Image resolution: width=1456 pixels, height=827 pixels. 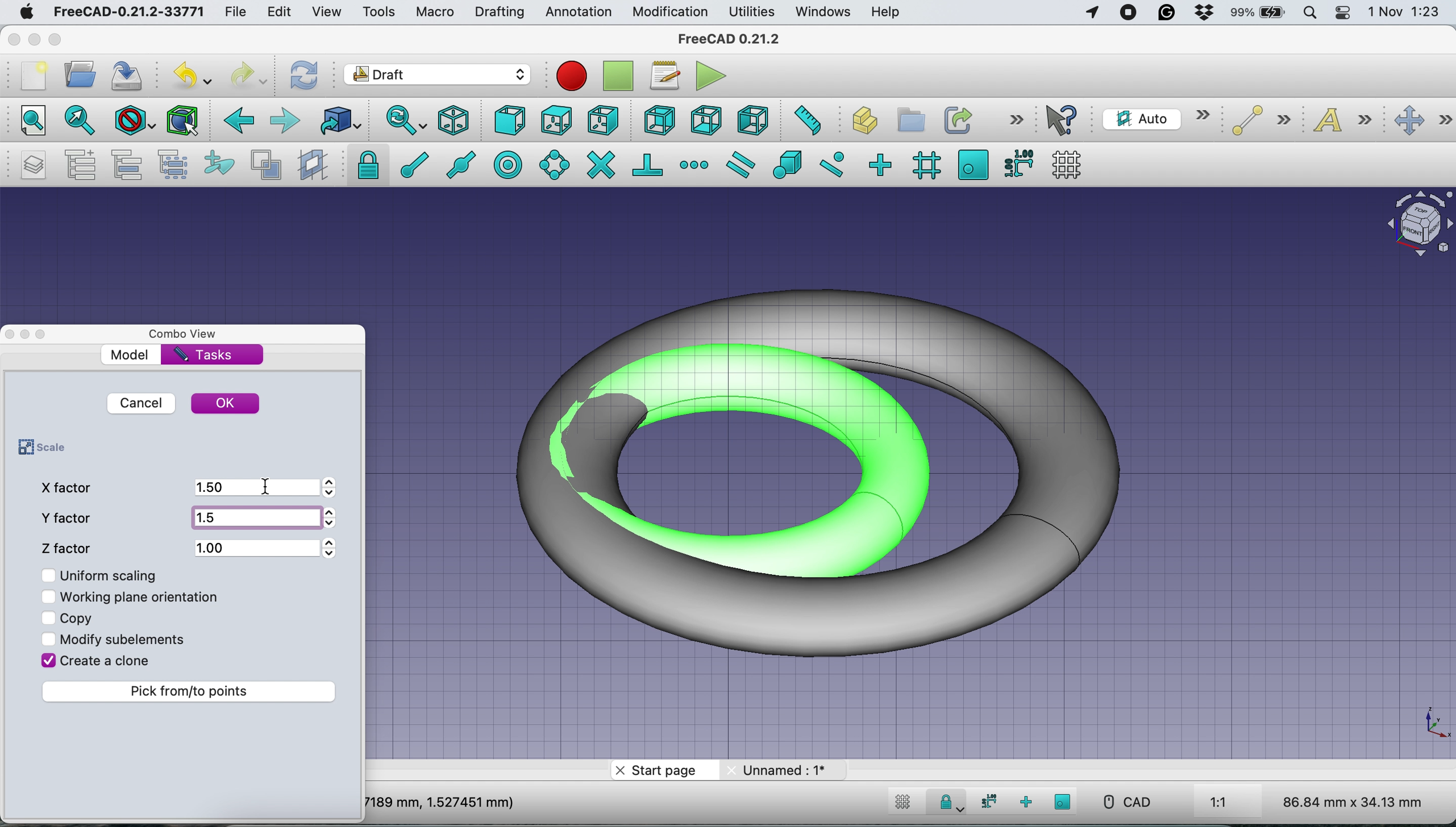 I want to click on maximise, so click(x=57, y=40).